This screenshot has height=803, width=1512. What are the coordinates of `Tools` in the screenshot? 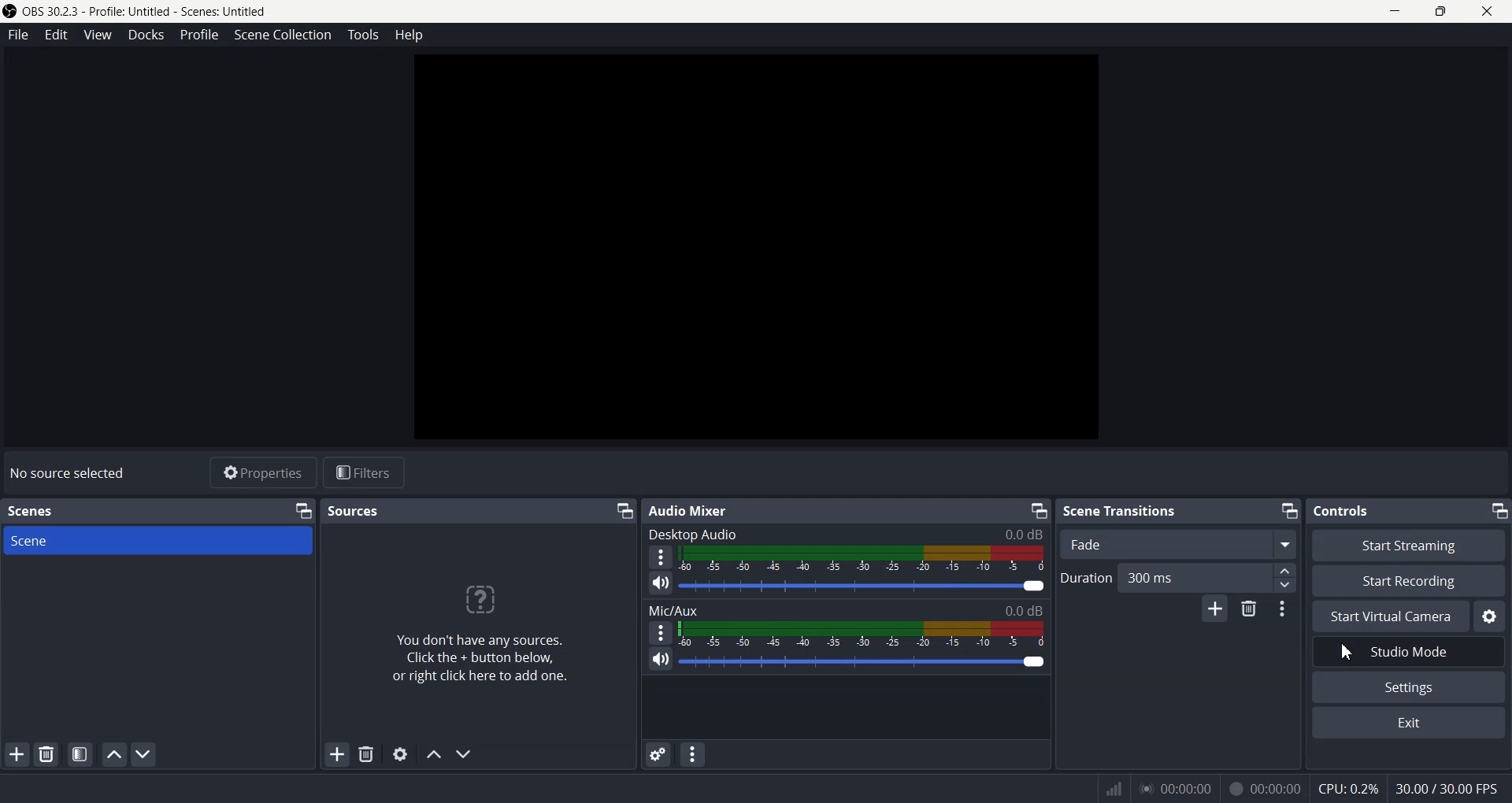 It's located at (362, 35).